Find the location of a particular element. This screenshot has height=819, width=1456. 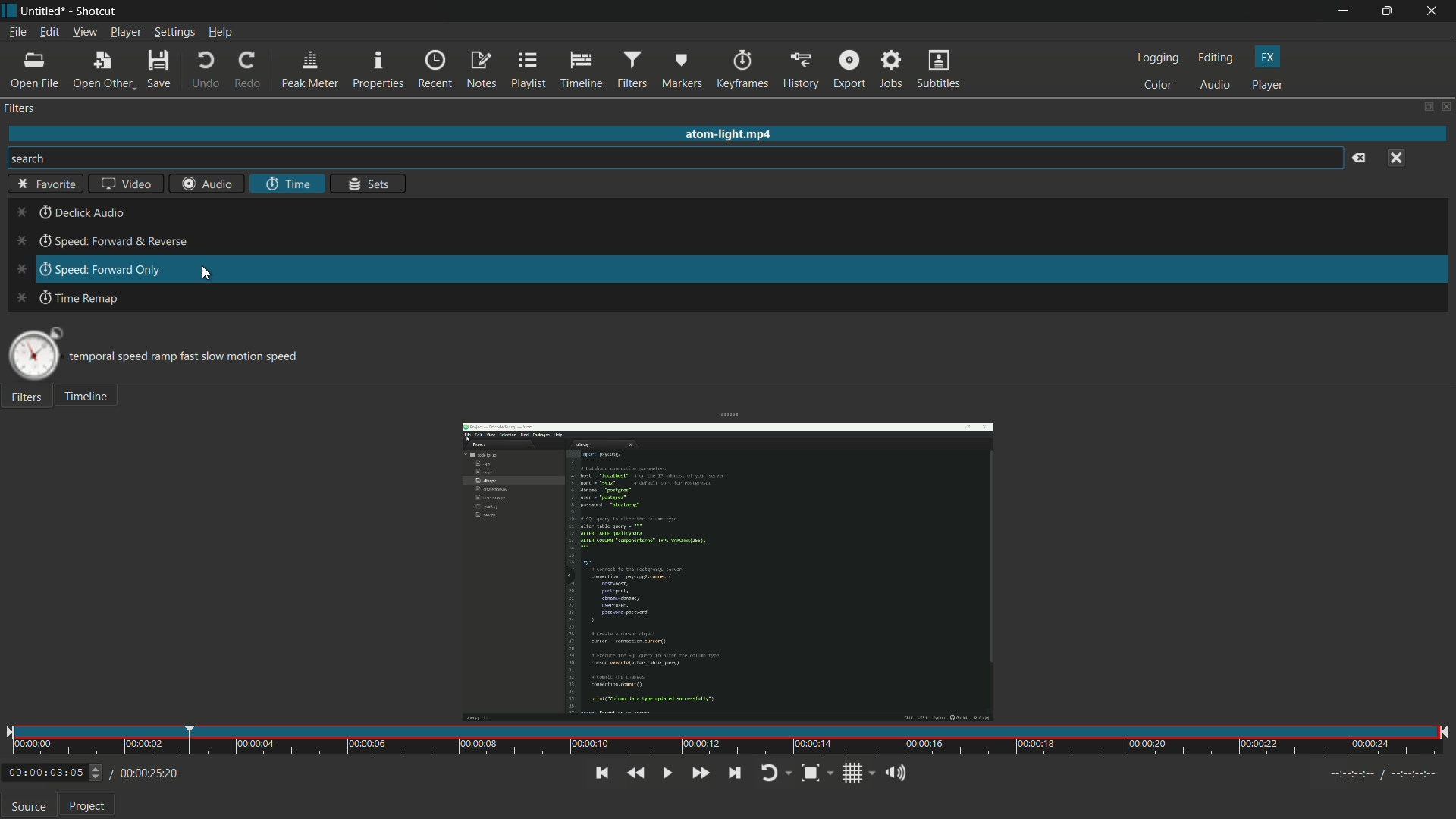

editing is located at coordinates (1216, 58).